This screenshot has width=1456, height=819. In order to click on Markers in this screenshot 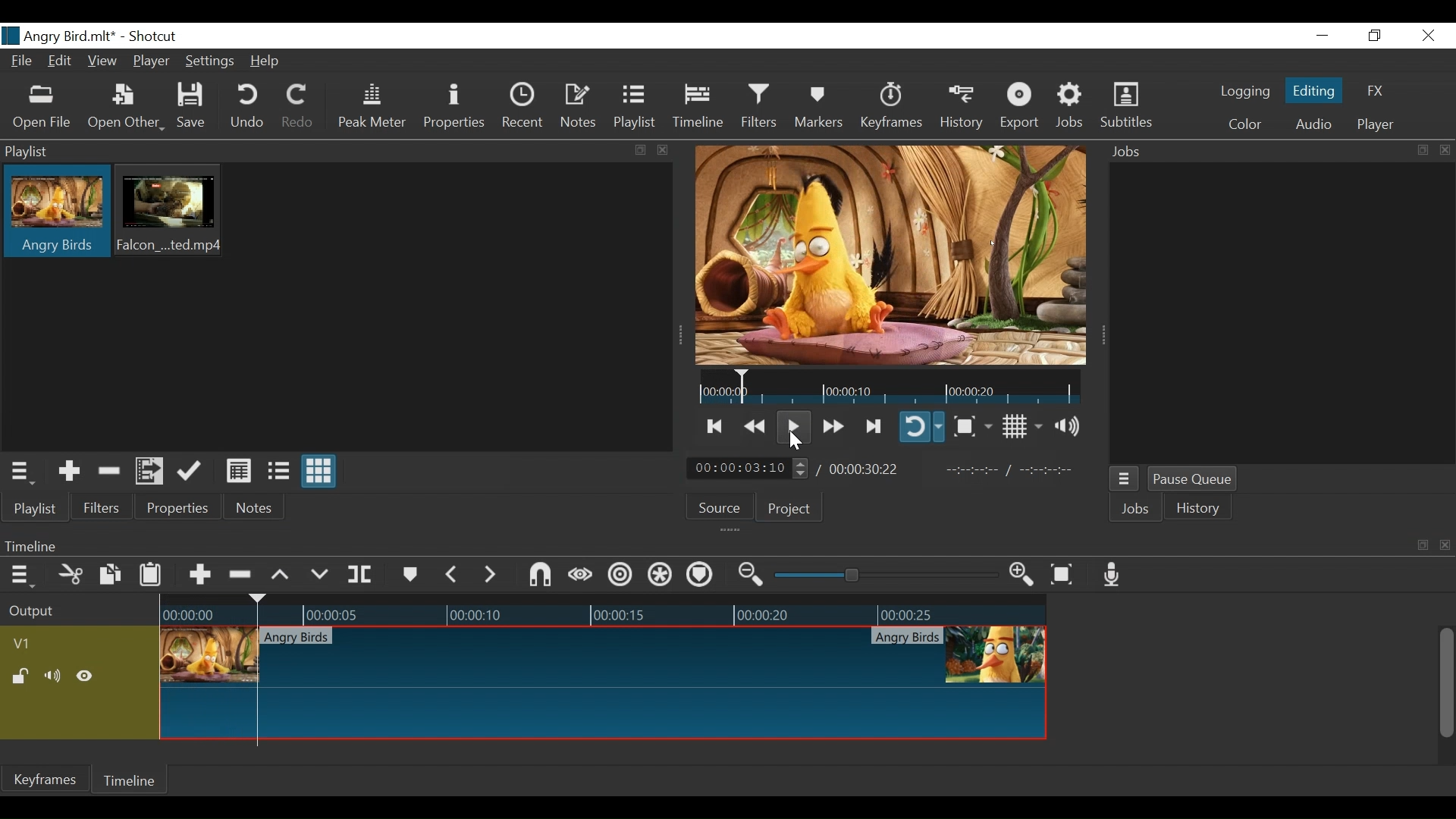, I will do `click(817, 108)`.